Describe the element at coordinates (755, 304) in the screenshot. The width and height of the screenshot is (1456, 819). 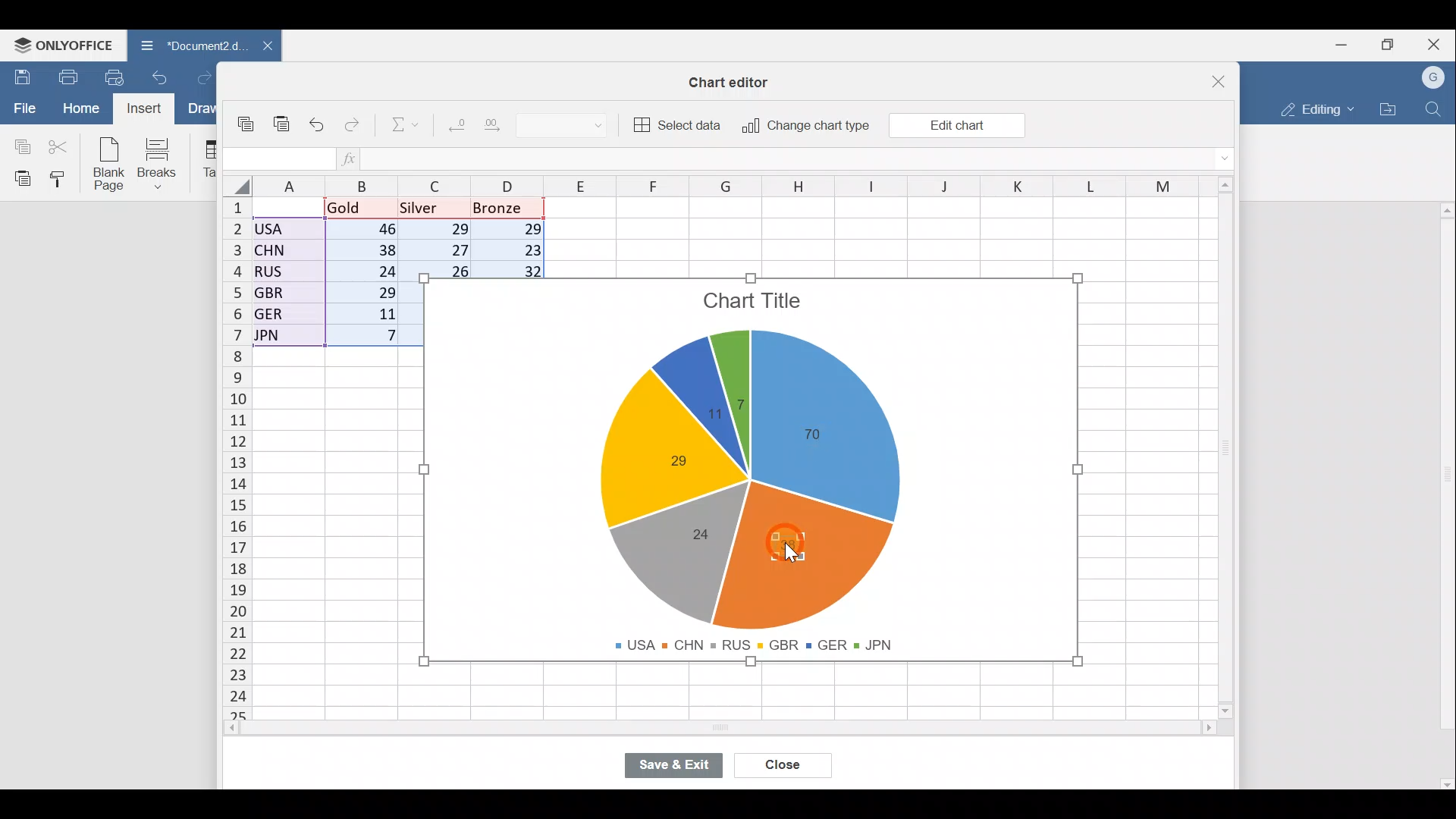
I see `Chart title` at that location.